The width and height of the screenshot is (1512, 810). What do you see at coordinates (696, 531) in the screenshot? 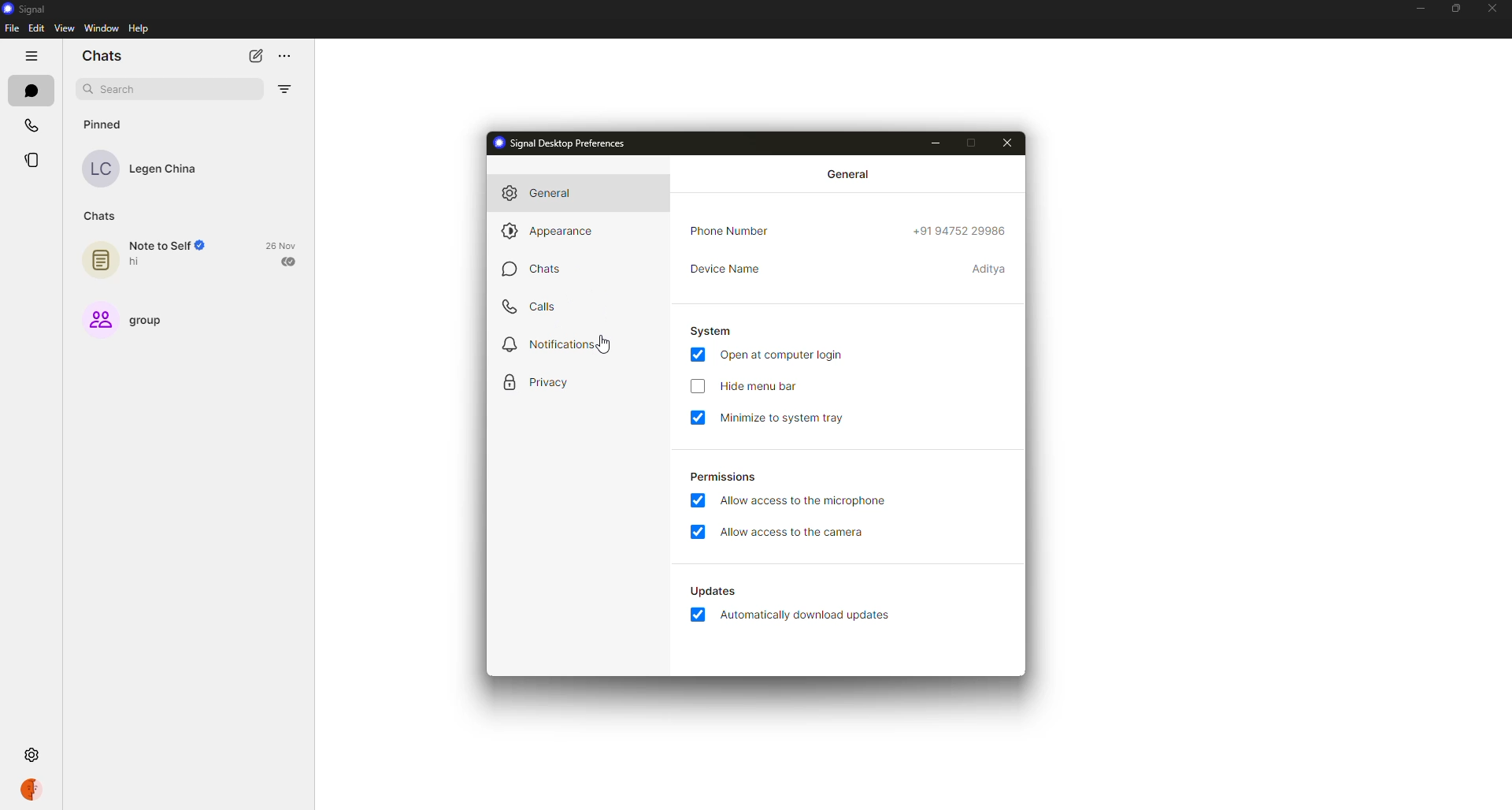
I see `enabled` at bounding box center [696, 531].